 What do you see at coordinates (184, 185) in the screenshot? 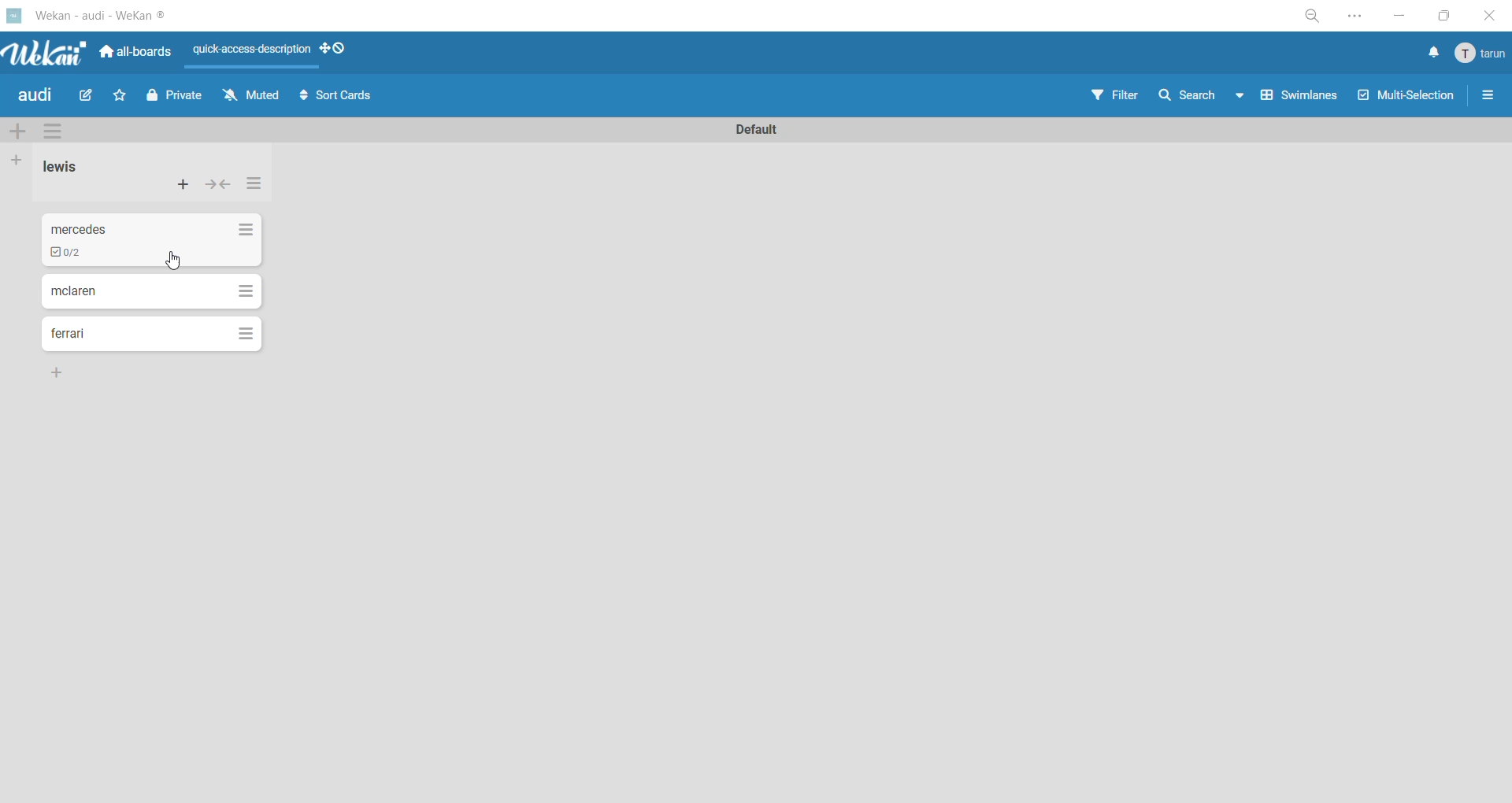
I see `add card` at bounding box center [184, 185].